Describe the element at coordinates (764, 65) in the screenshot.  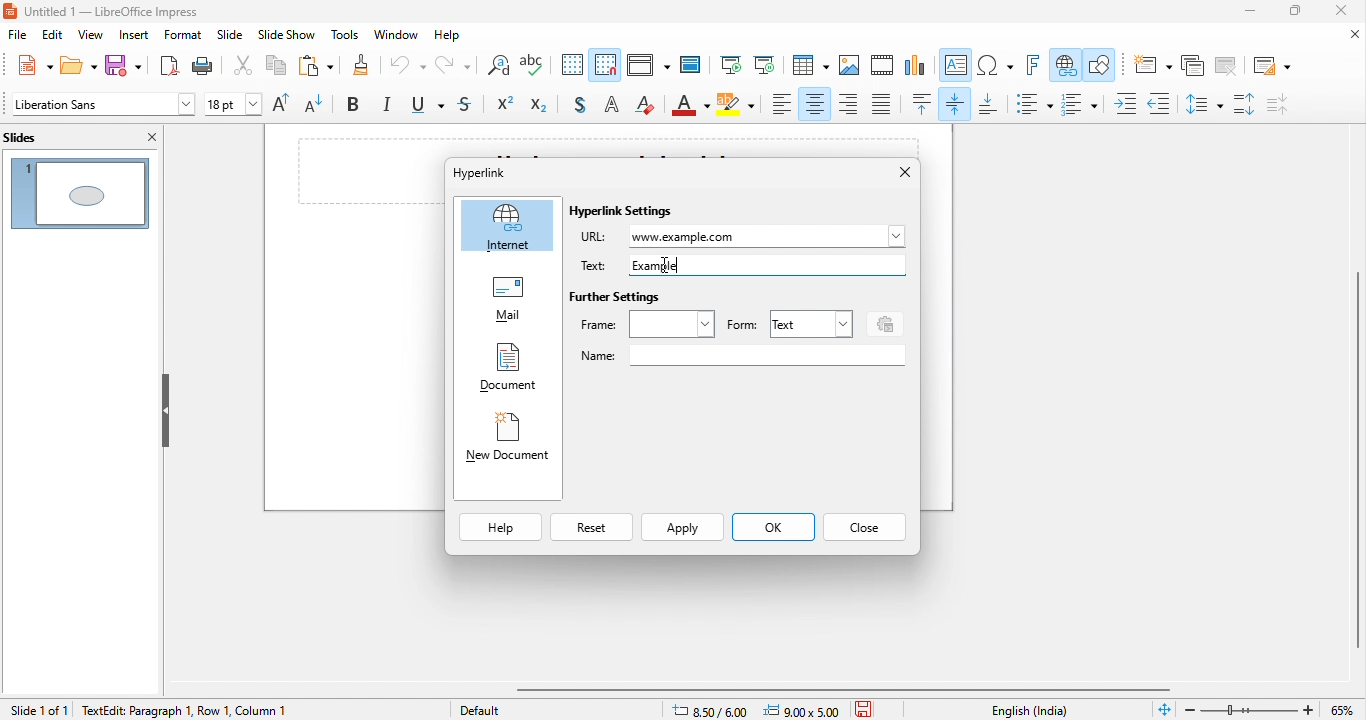
I see `start from current slide` at that location.